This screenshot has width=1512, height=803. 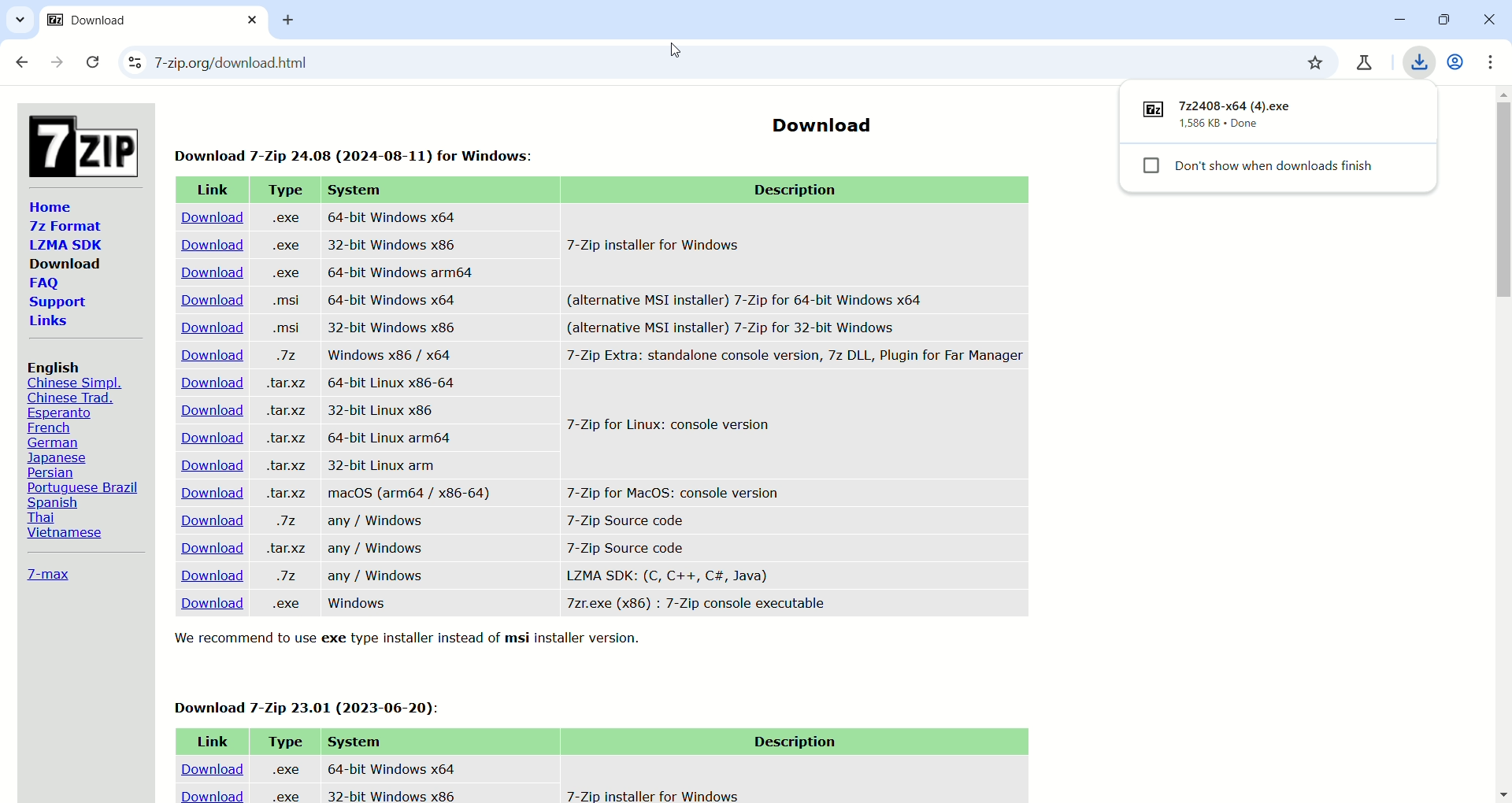 I want to click on new tab, so click(x=295, y=22).